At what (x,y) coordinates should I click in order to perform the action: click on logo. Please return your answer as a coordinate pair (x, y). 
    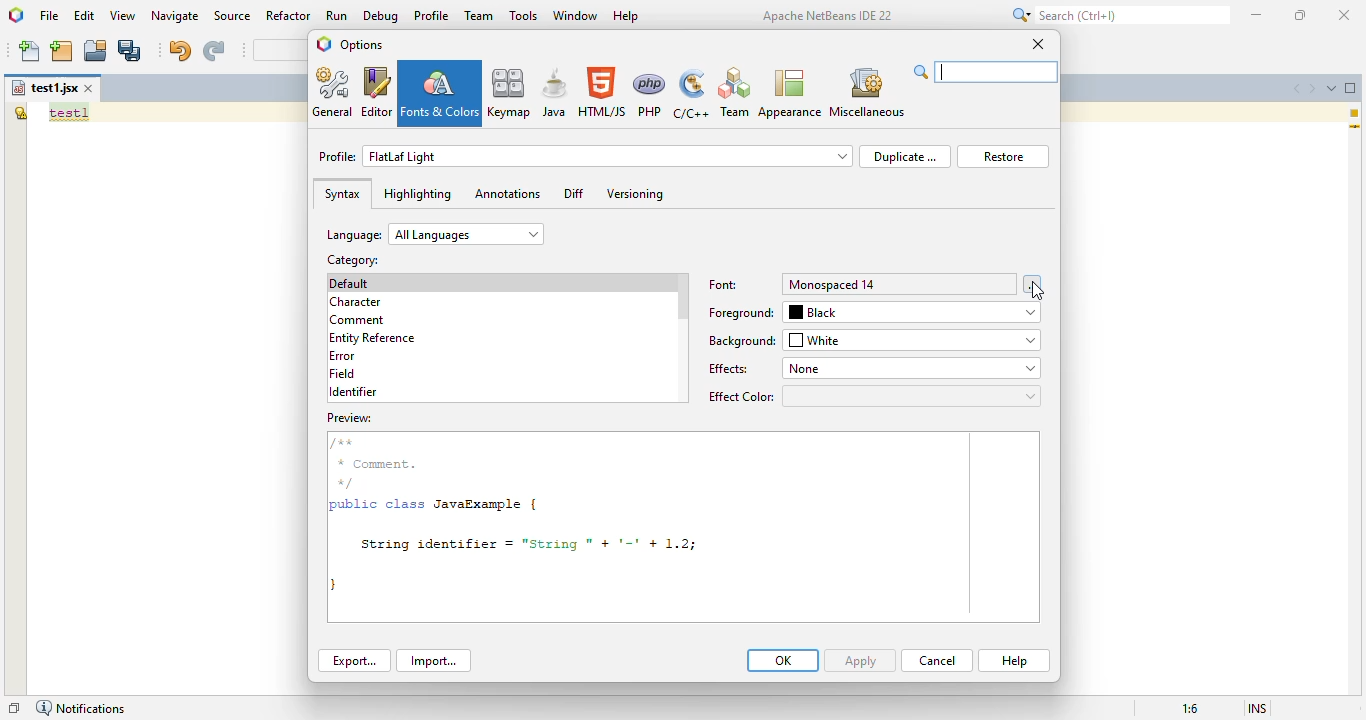
    Looking at the image, I should click on (324, 43).